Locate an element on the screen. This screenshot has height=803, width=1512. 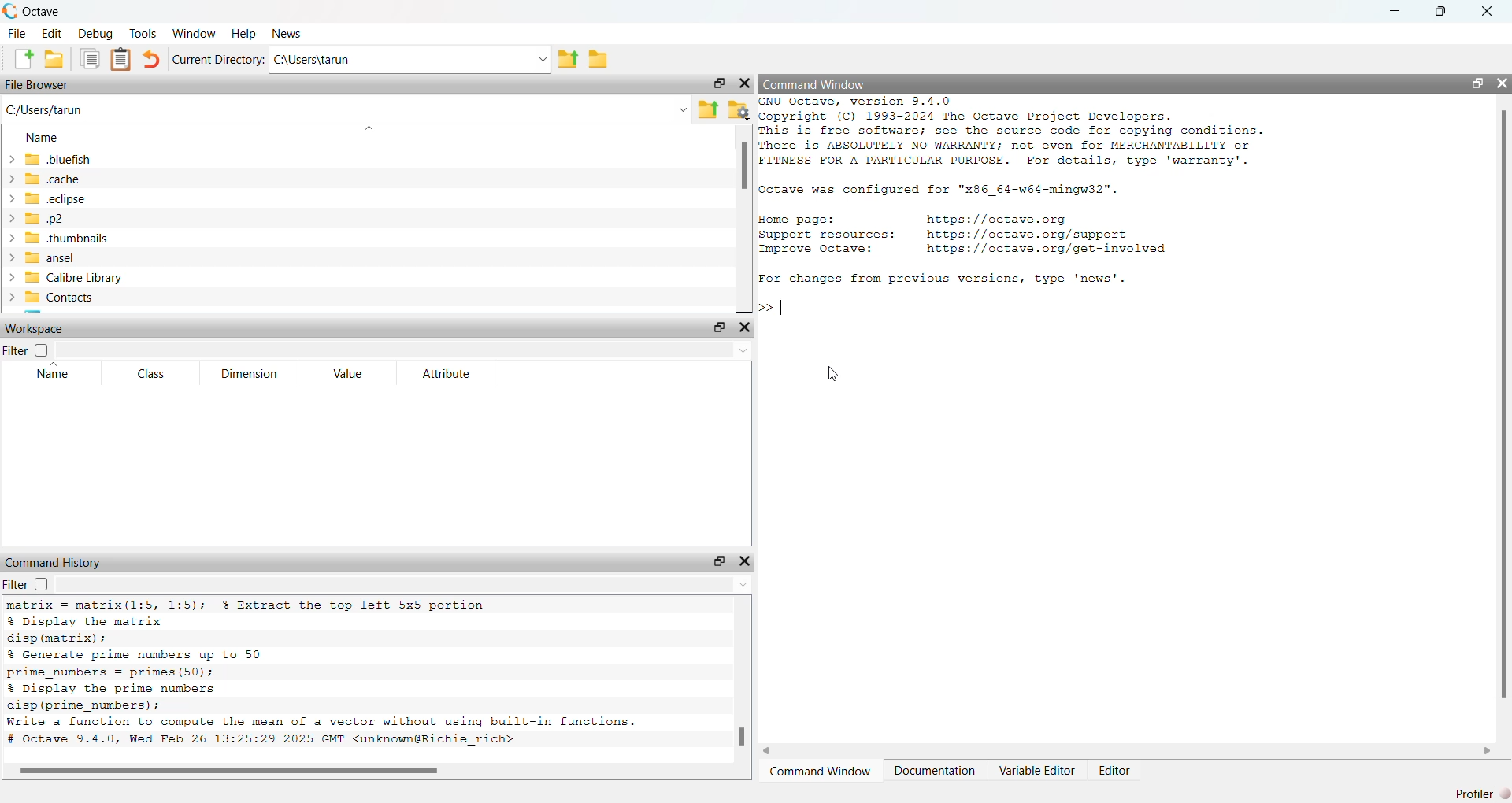
help is located at coordinates (243, 35).